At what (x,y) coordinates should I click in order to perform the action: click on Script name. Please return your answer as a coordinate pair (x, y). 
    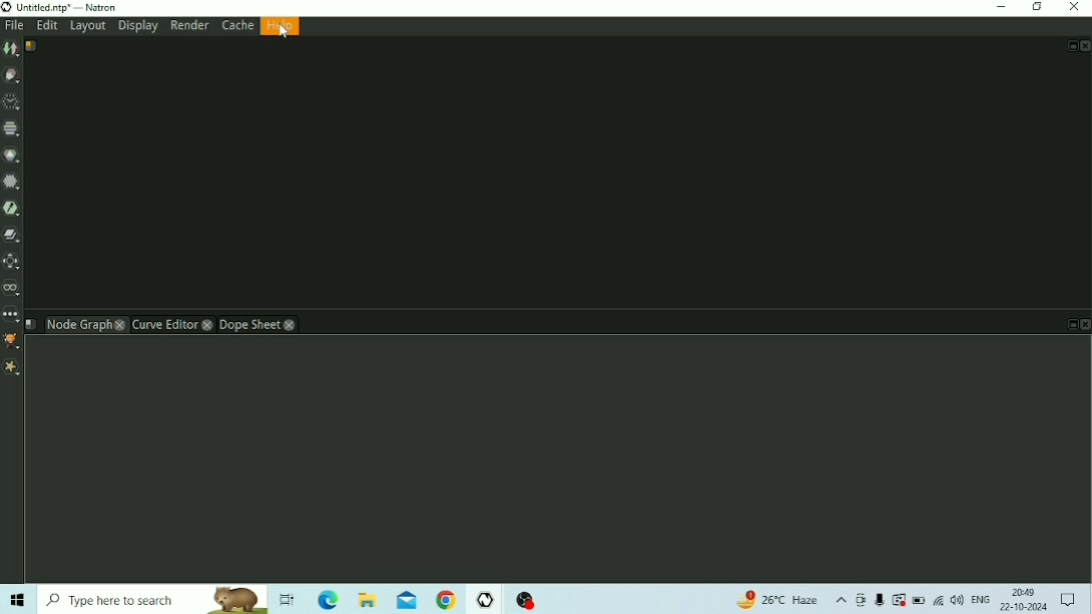
    Looking at the image, I should click on (31, 46).